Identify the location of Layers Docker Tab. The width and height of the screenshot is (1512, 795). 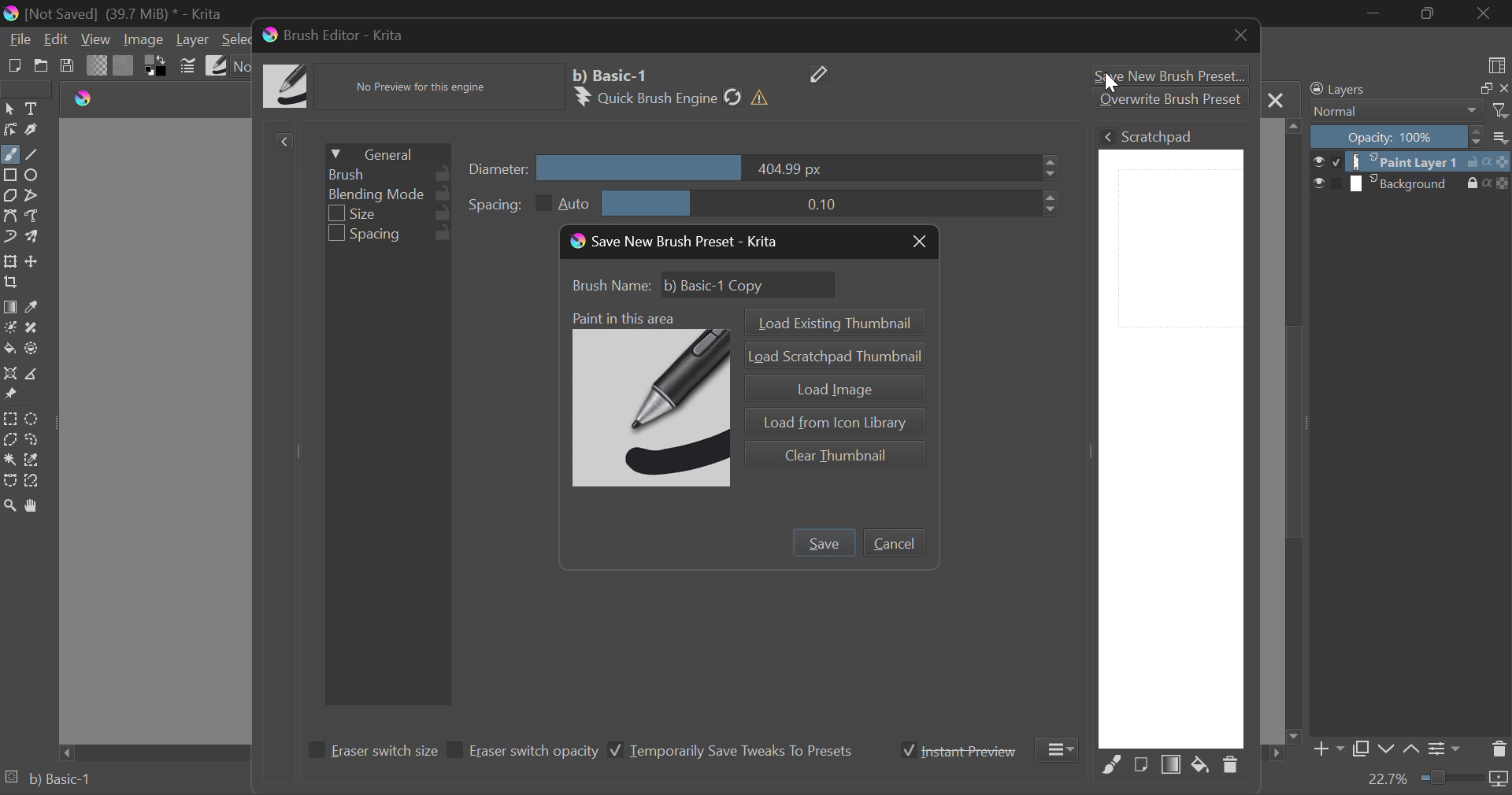
(1408, 89).